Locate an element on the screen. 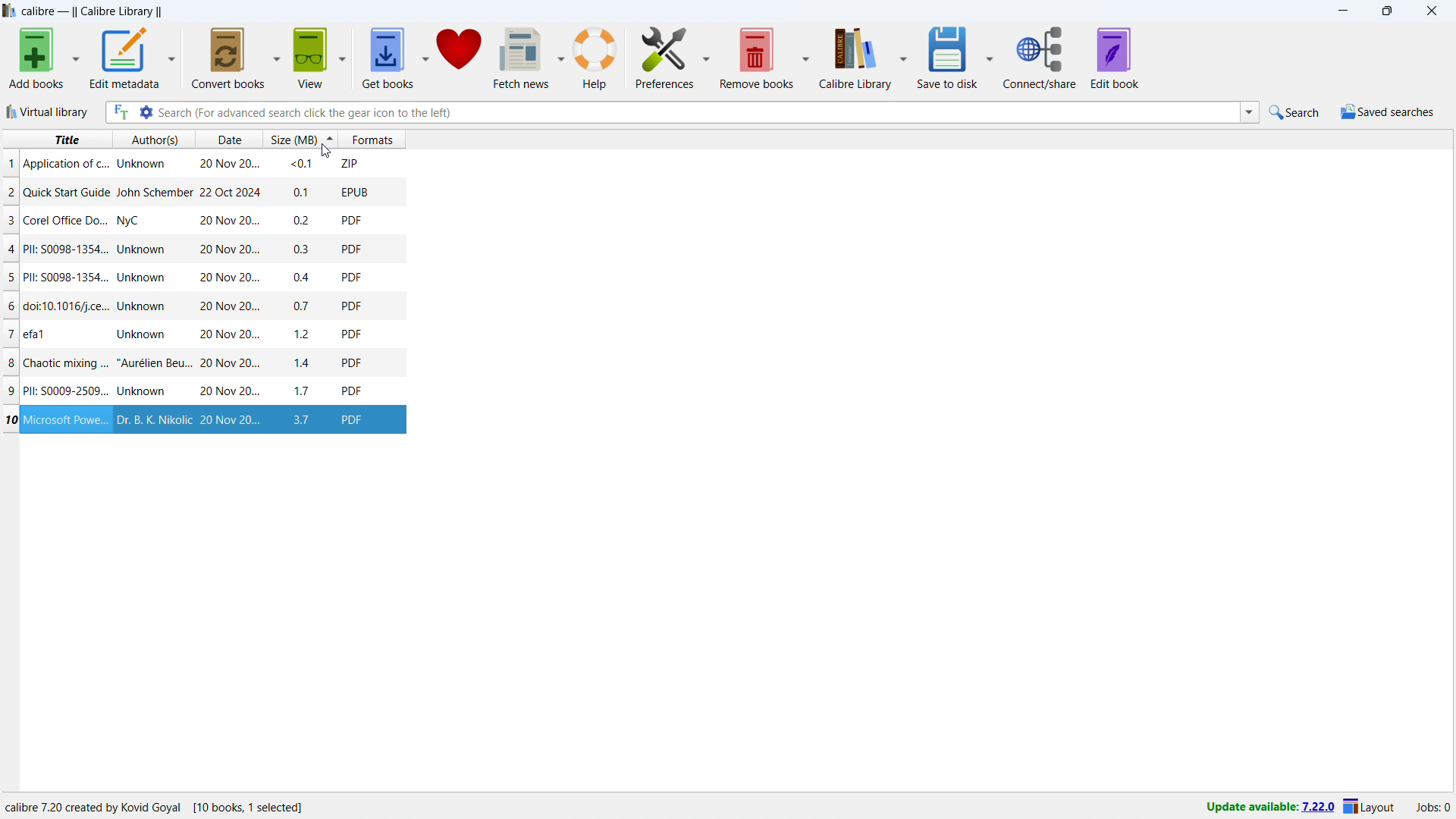  title is located at coordinates (92, 11).